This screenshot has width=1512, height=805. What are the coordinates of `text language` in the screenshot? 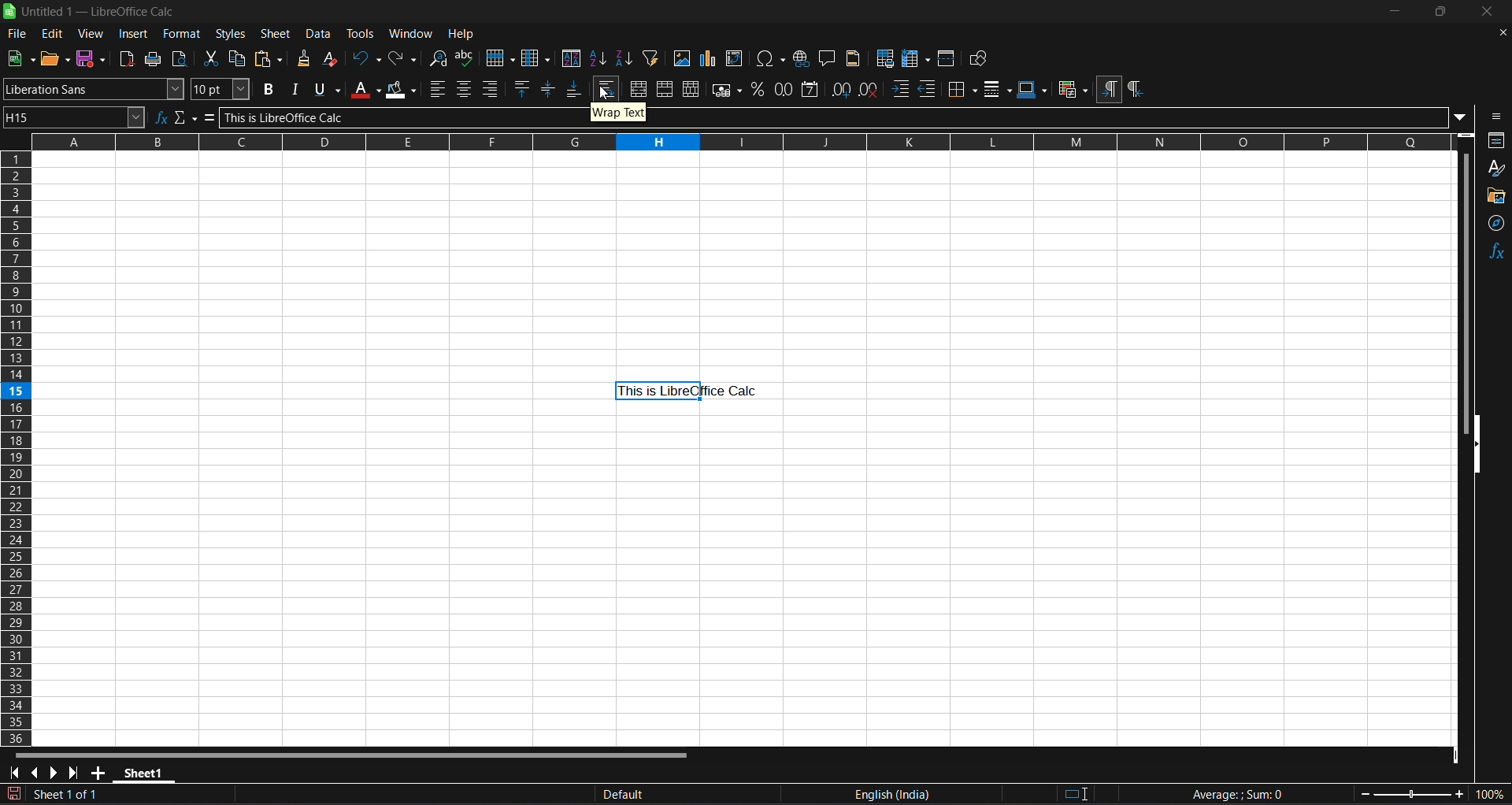 It's located at (902, 795).